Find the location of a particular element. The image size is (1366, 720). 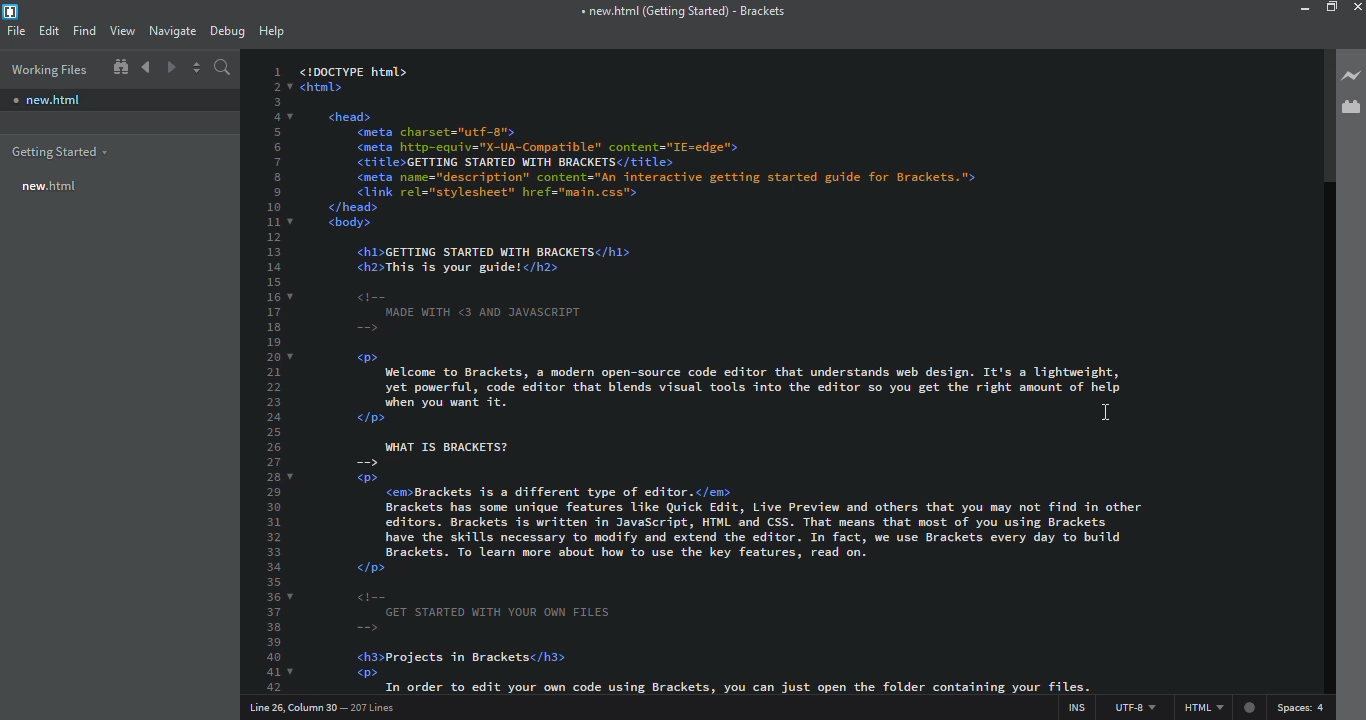

brackets is located at coordinates (11, 12).